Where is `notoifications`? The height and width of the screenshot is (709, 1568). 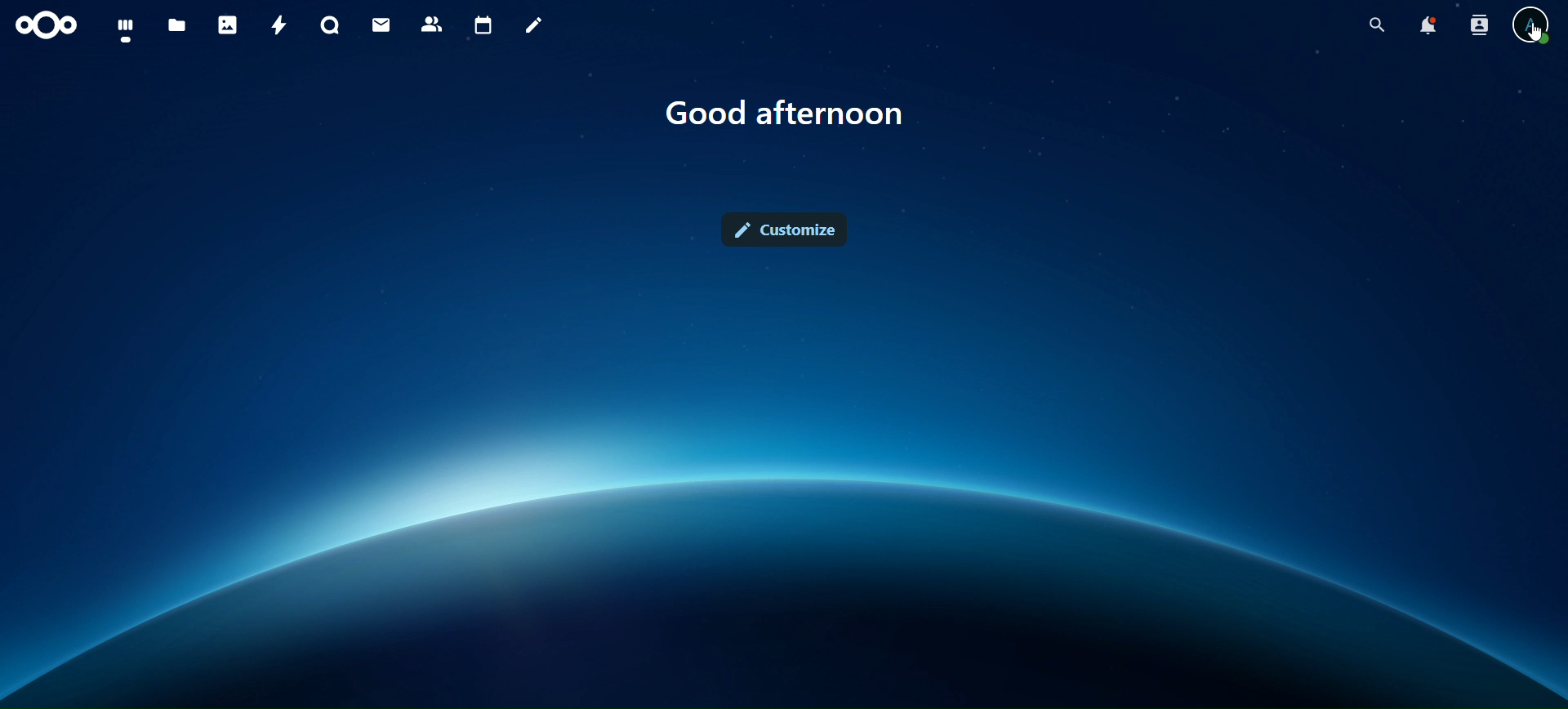 notoifications is located at coordinates (1429, 26).